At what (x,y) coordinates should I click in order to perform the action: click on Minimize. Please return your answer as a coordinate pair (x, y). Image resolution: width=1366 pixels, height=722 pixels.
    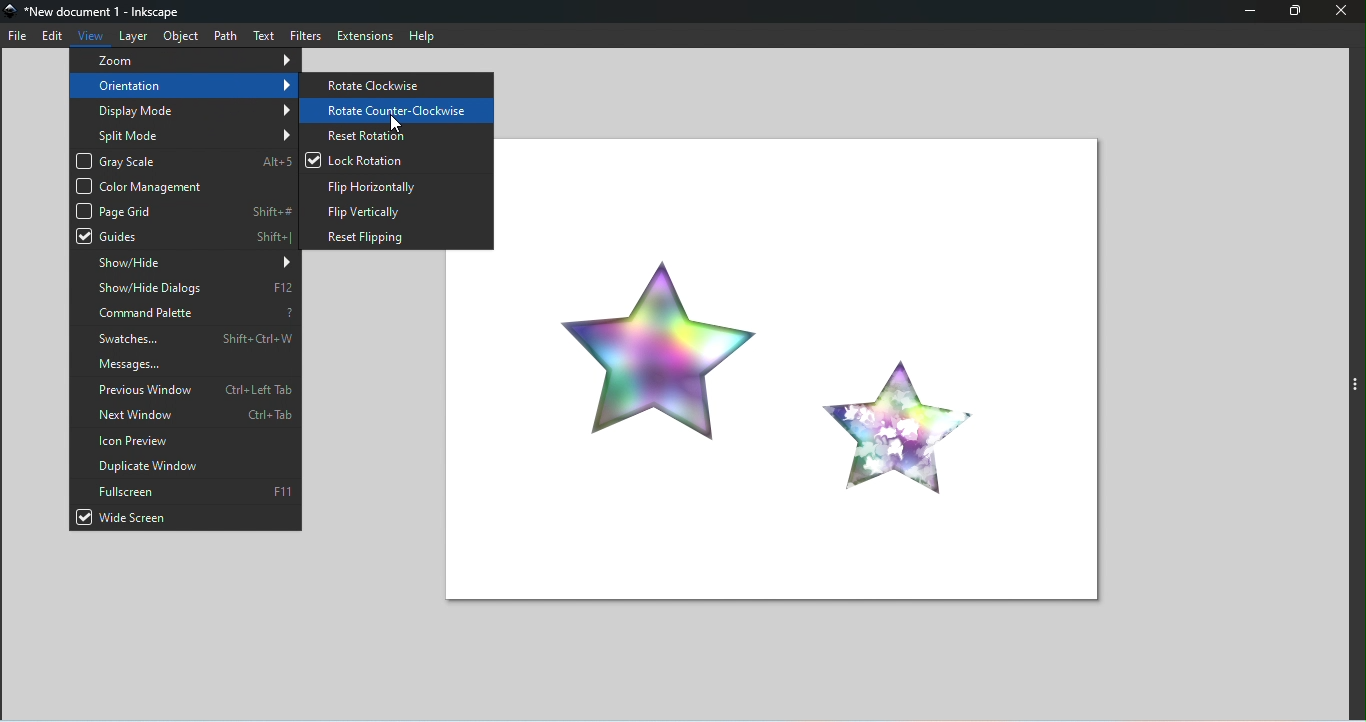
    Looking at the image, I should click on (1253, 13).